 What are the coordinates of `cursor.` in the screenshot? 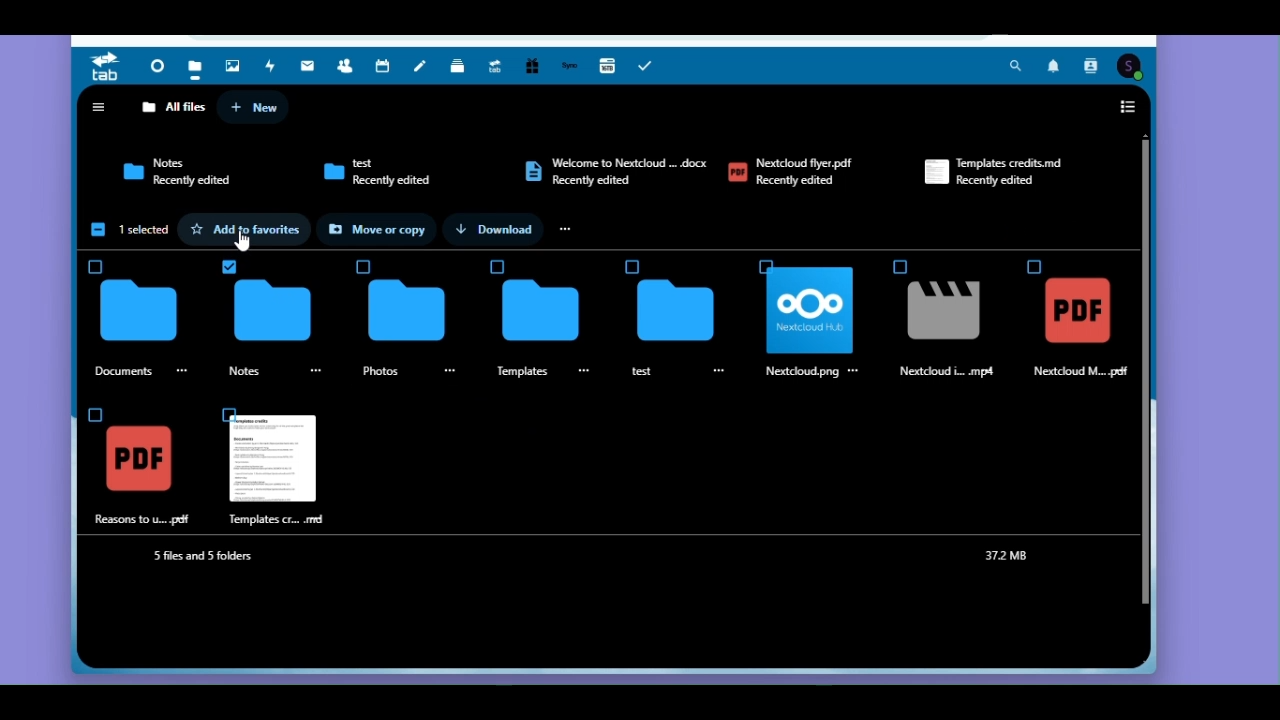 It's located at (243, 243).